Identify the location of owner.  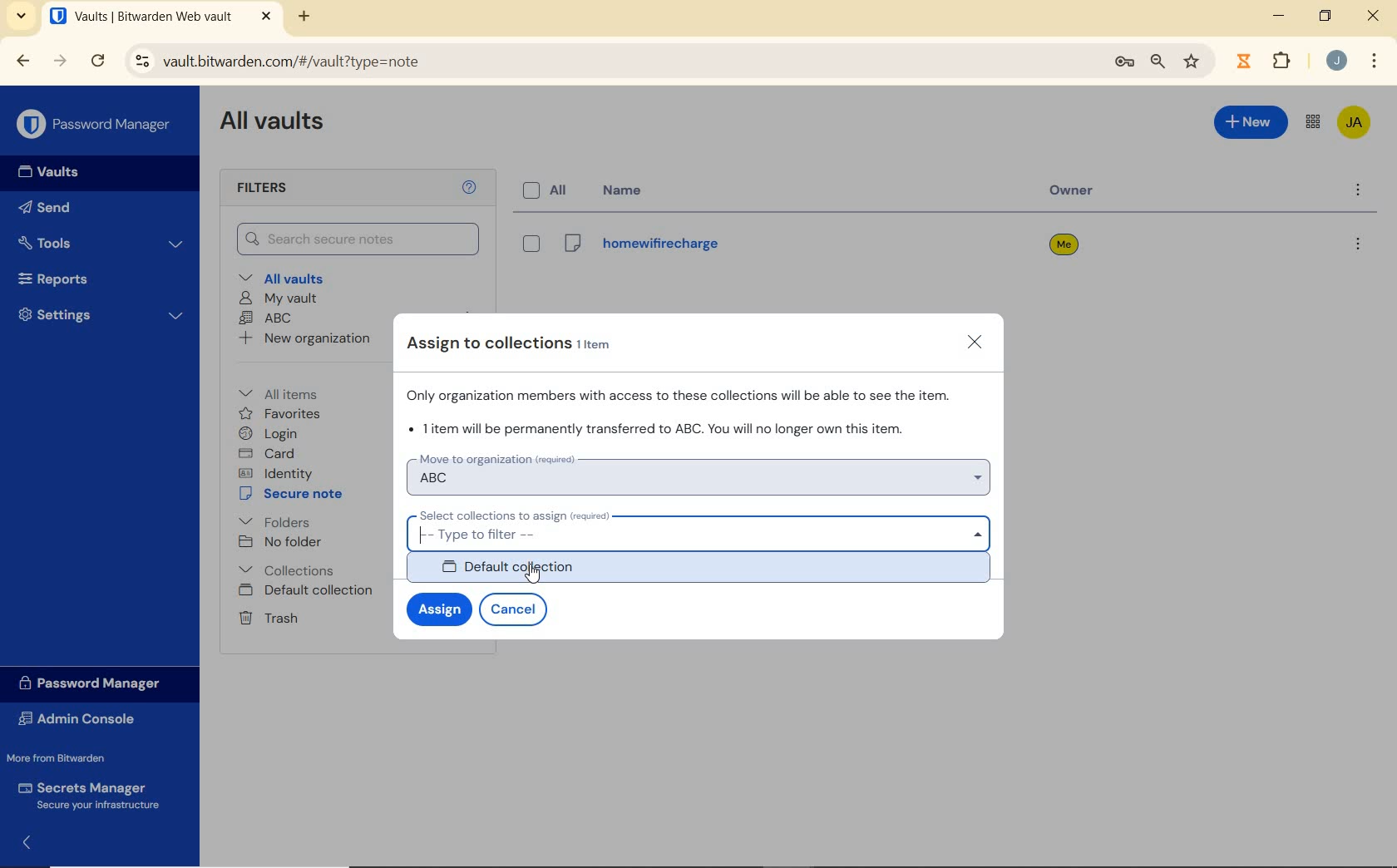
(1077, 192).